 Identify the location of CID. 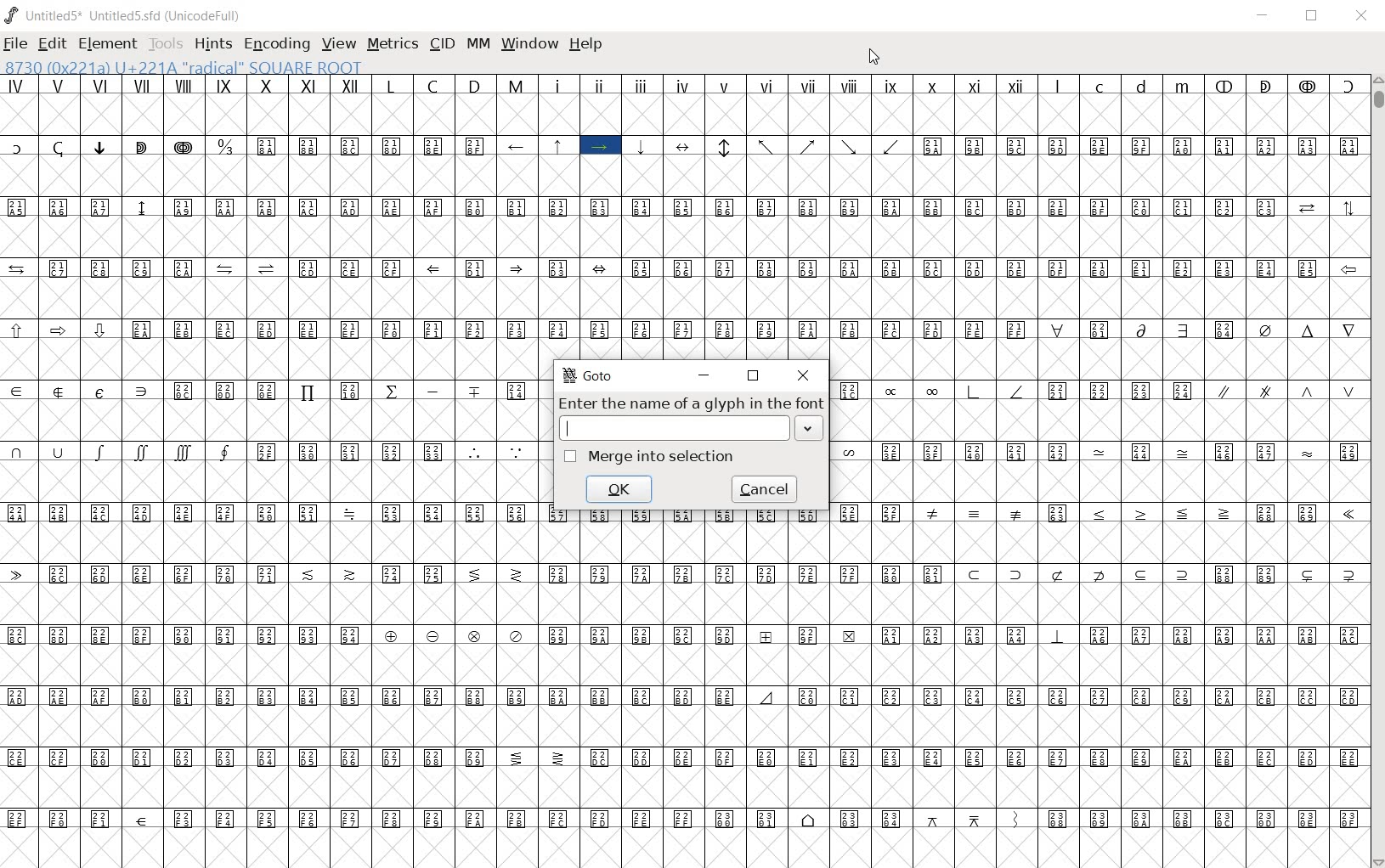
(440, 44).